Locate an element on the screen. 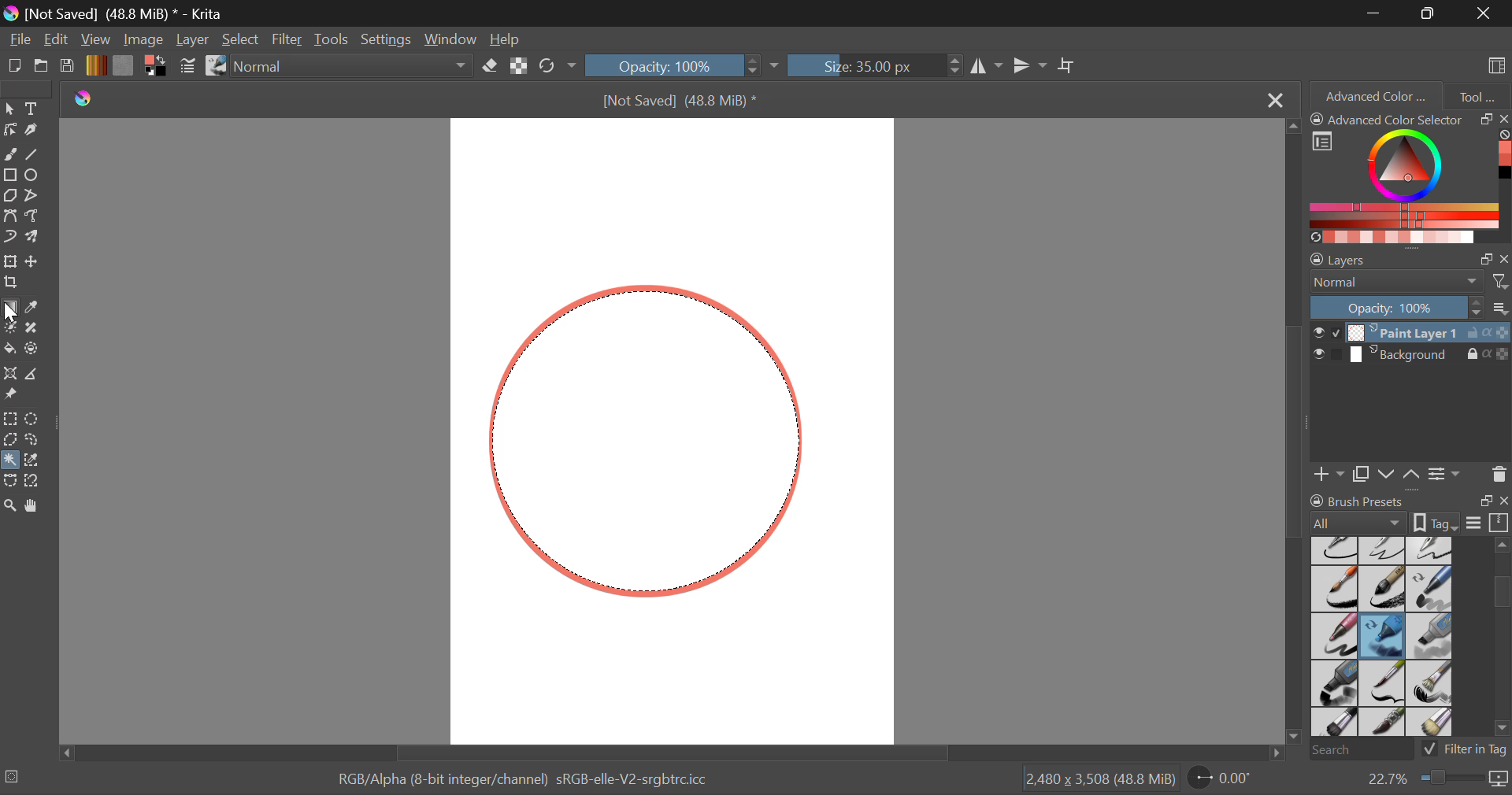 The height and width of the screenshot is (795, 1512). Multibrush Tool is located at coordinates (37, 238).